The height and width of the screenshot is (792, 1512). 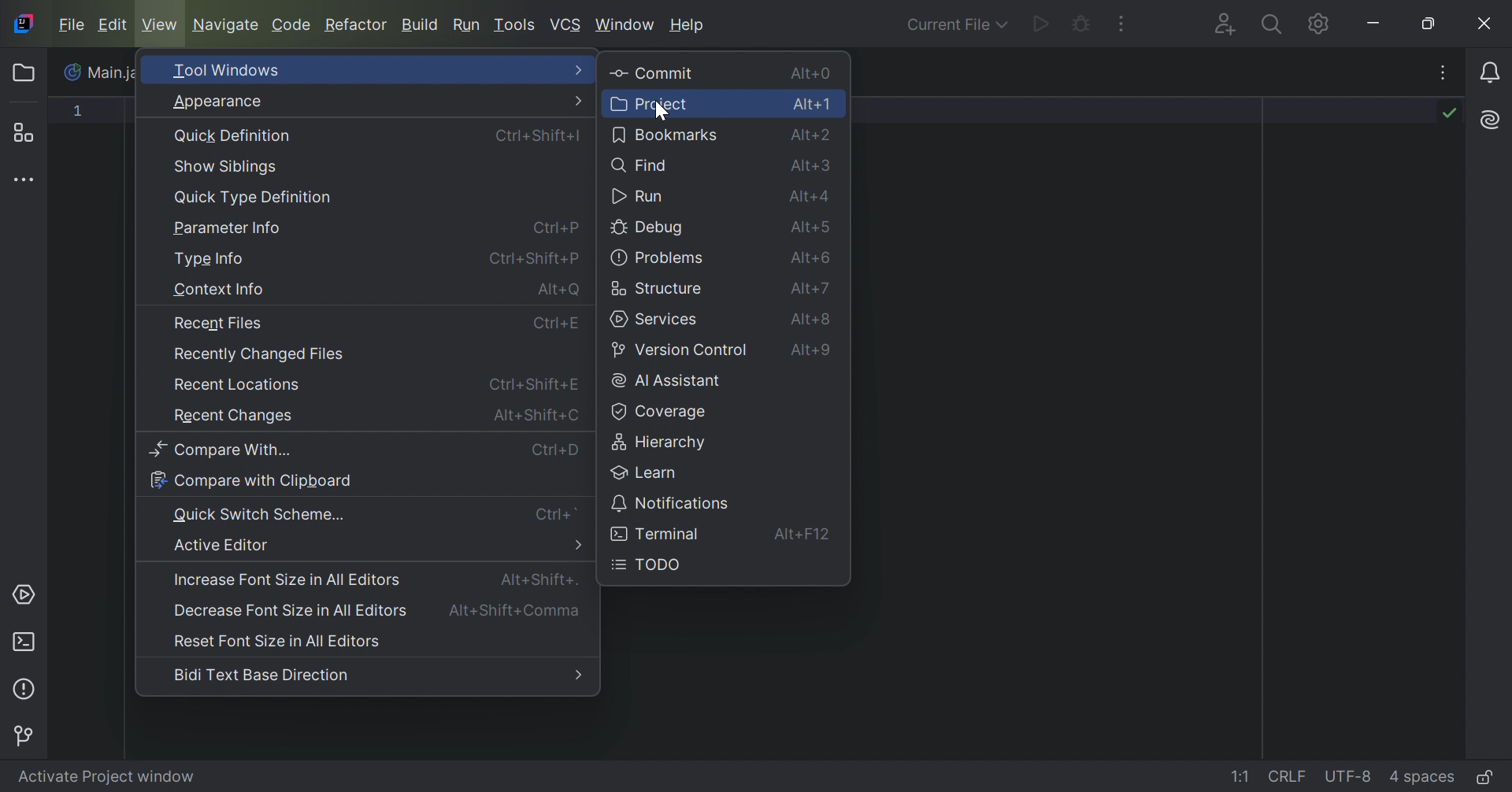 I want to click on CRLF, so click(x=1289, y=775).